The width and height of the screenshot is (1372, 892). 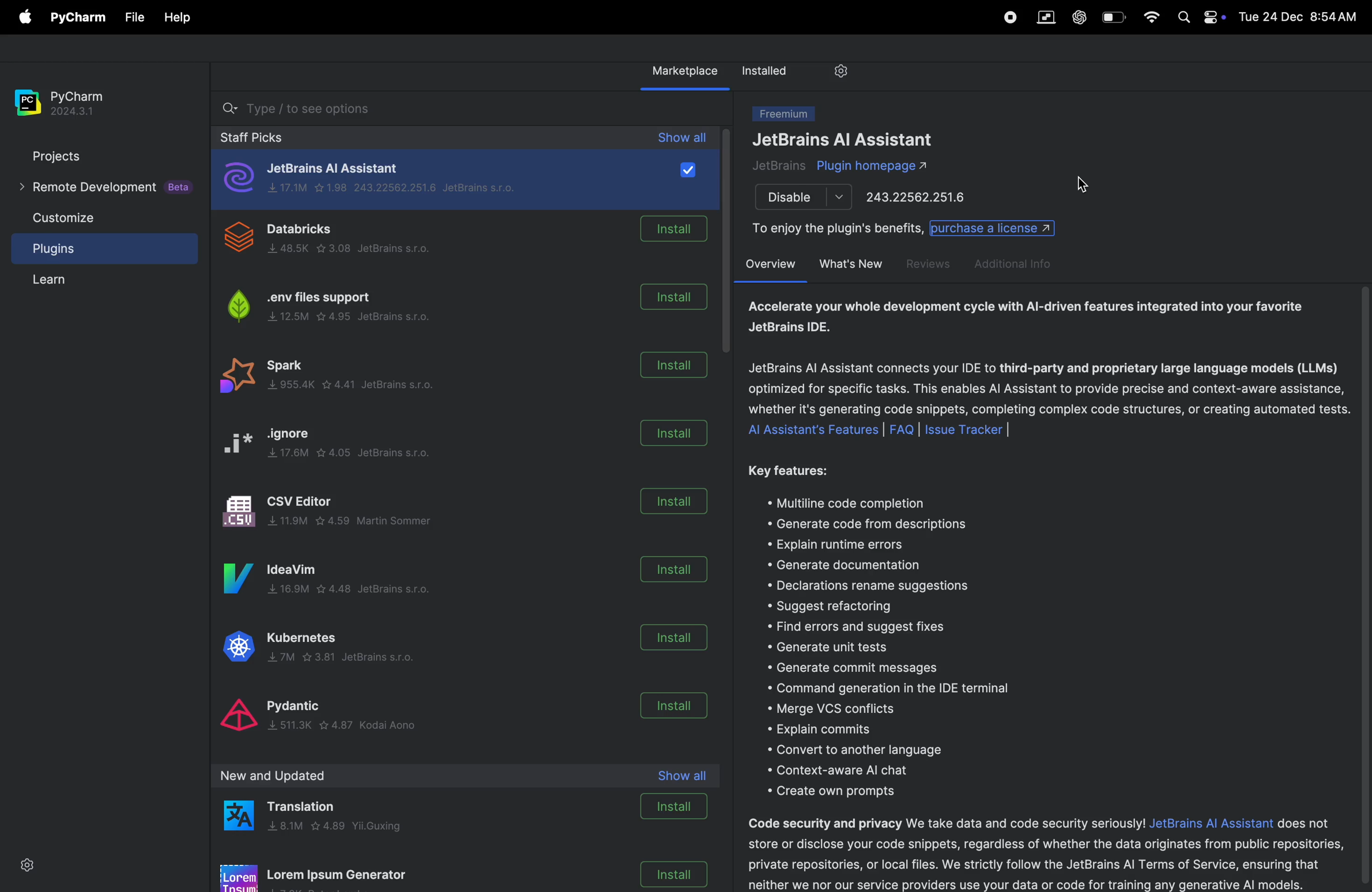 I want to click on date and time, so click(x=1299, y=18).